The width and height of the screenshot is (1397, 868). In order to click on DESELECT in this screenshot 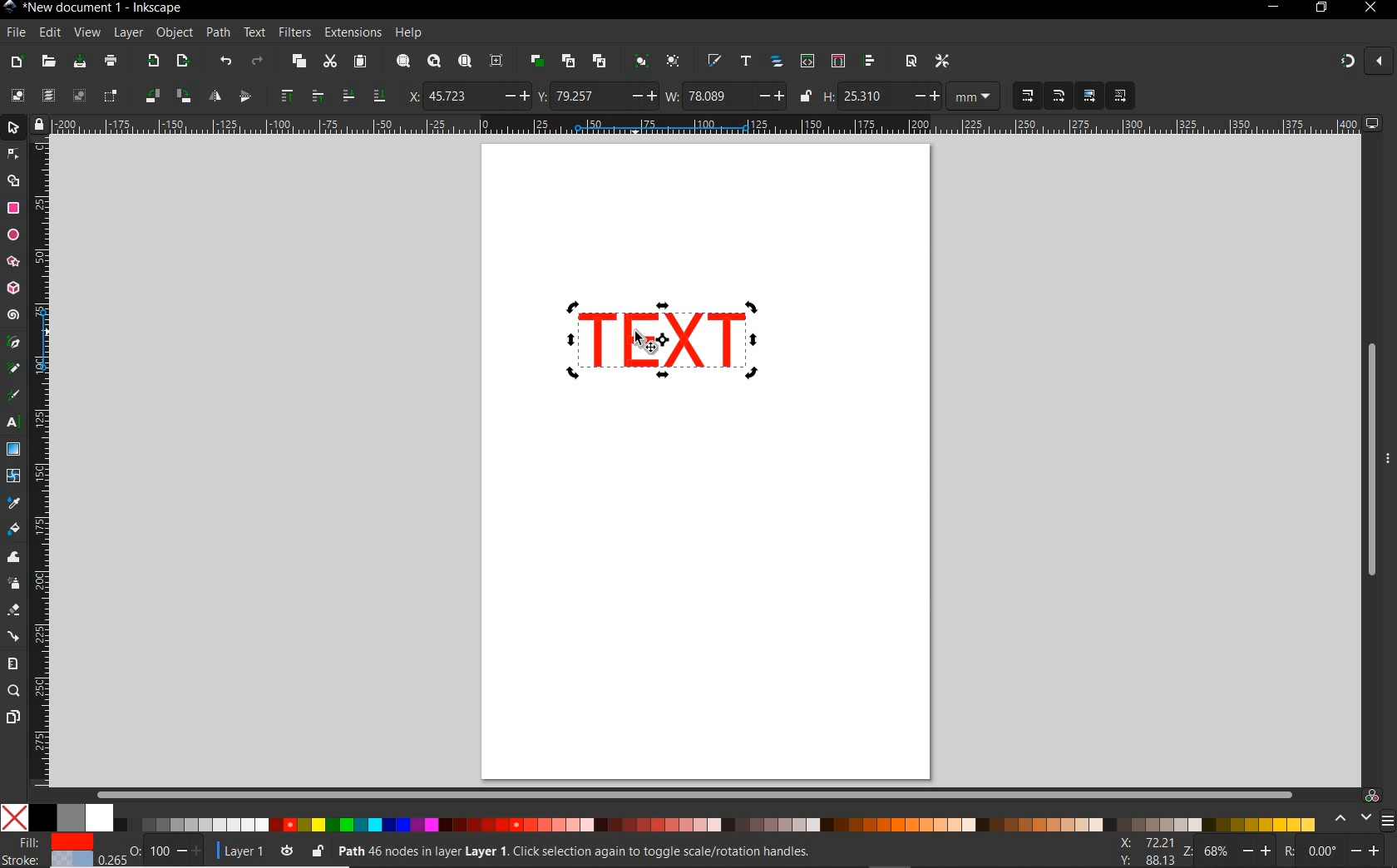, I will do `click(77, 95)`.